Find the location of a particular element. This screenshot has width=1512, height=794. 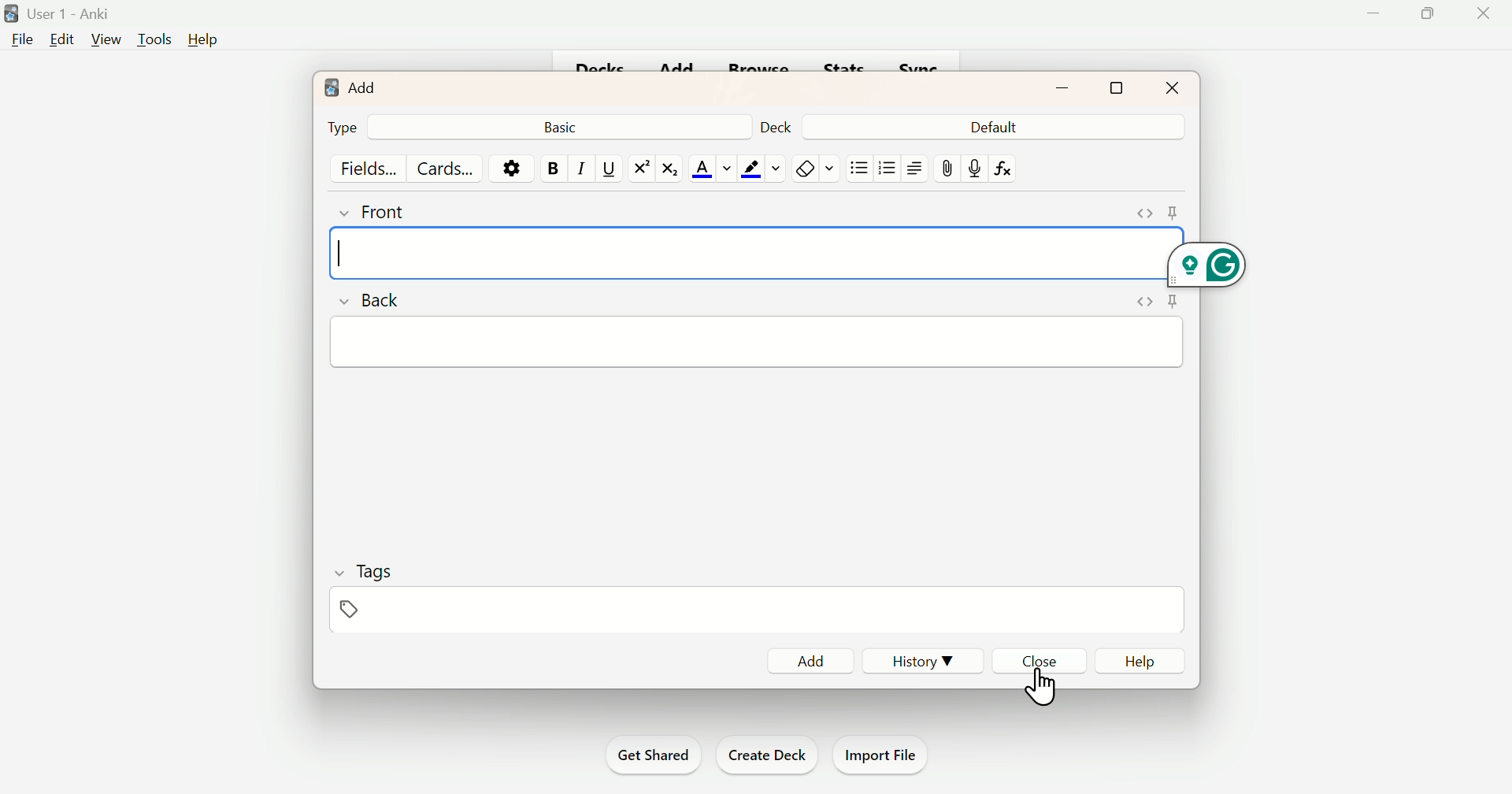

Close is located at coordinates (1036, 660).